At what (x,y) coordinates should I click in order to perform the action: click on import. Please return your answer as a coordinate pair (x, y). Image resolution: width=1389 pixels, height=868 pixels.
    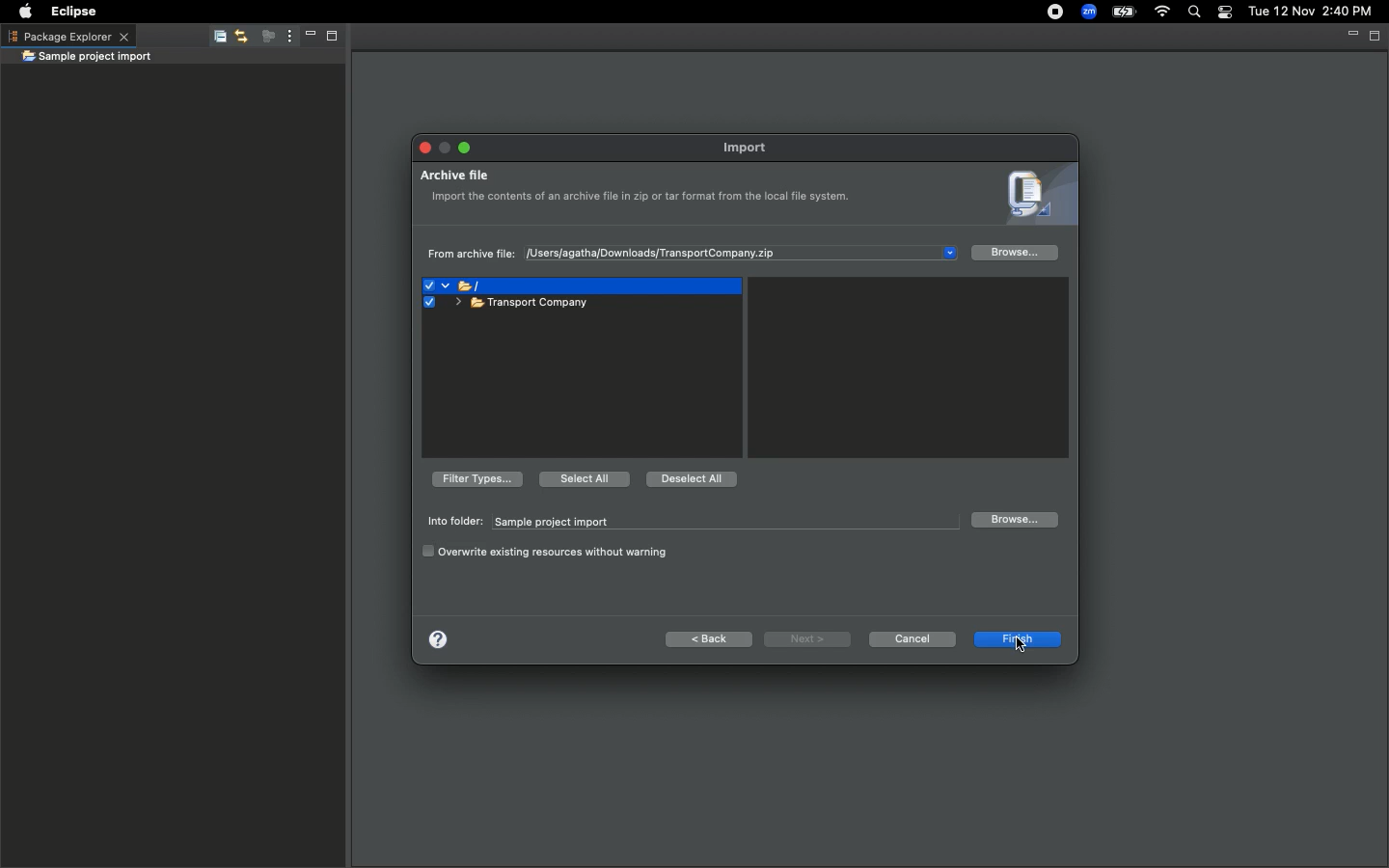
    Looking at the image, I should click on (750, 148).